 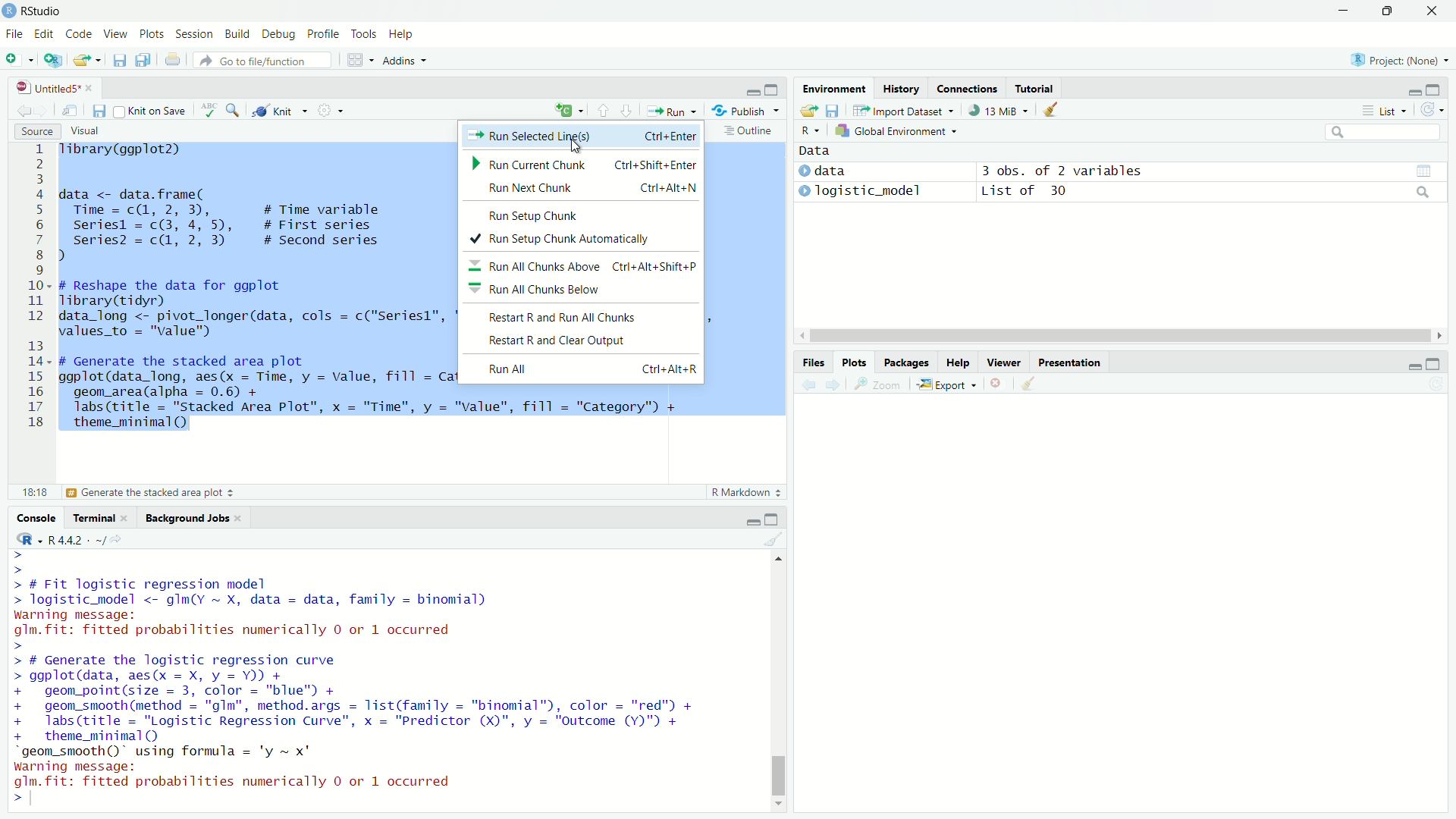 What do you see at coordinates (604, 115) in the screenshot?
I see `upward` at bounding box center [604, 115].